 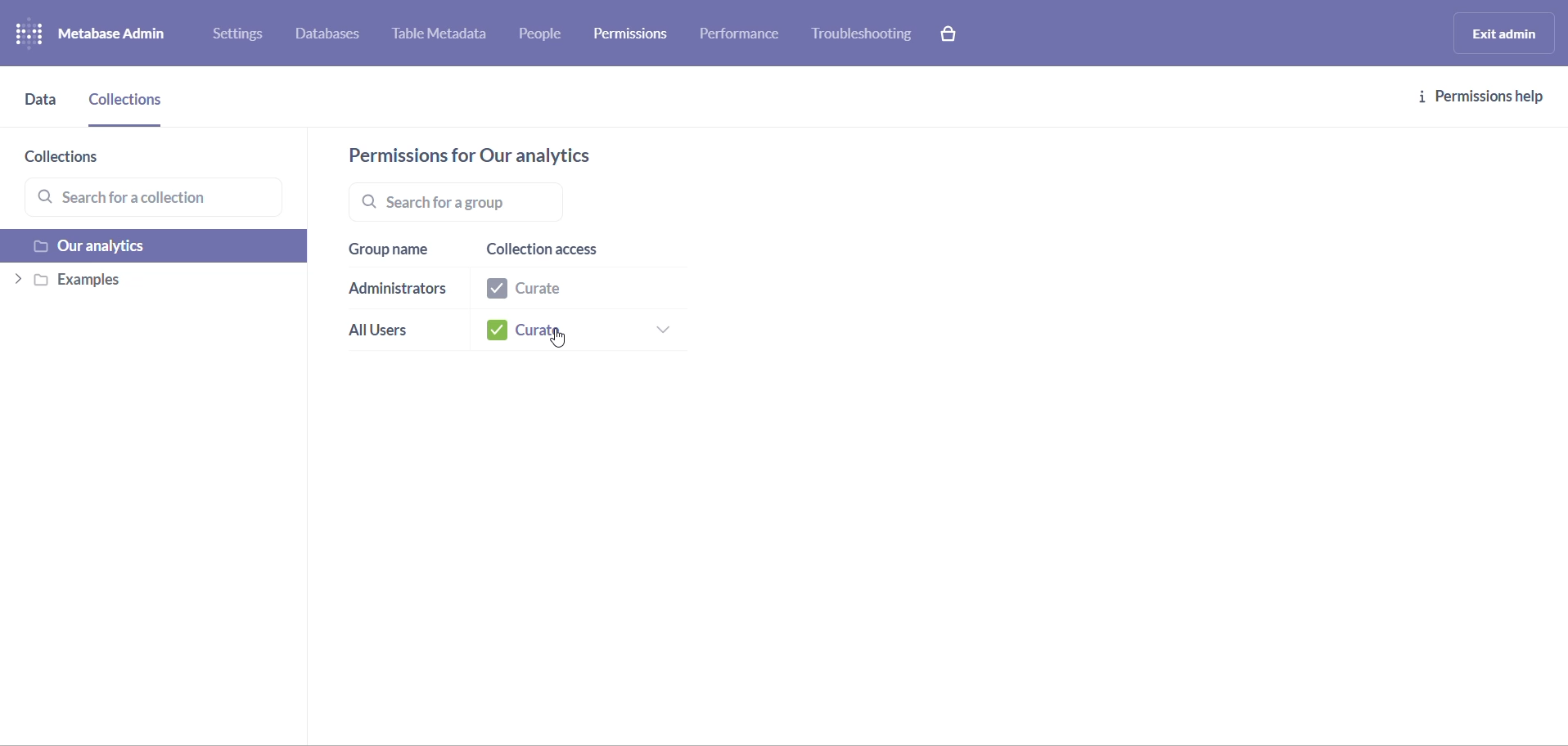 What do you see at coordinates (129, 106) in the screenshot?
I see `colletions` at bounding box center [129, 106].